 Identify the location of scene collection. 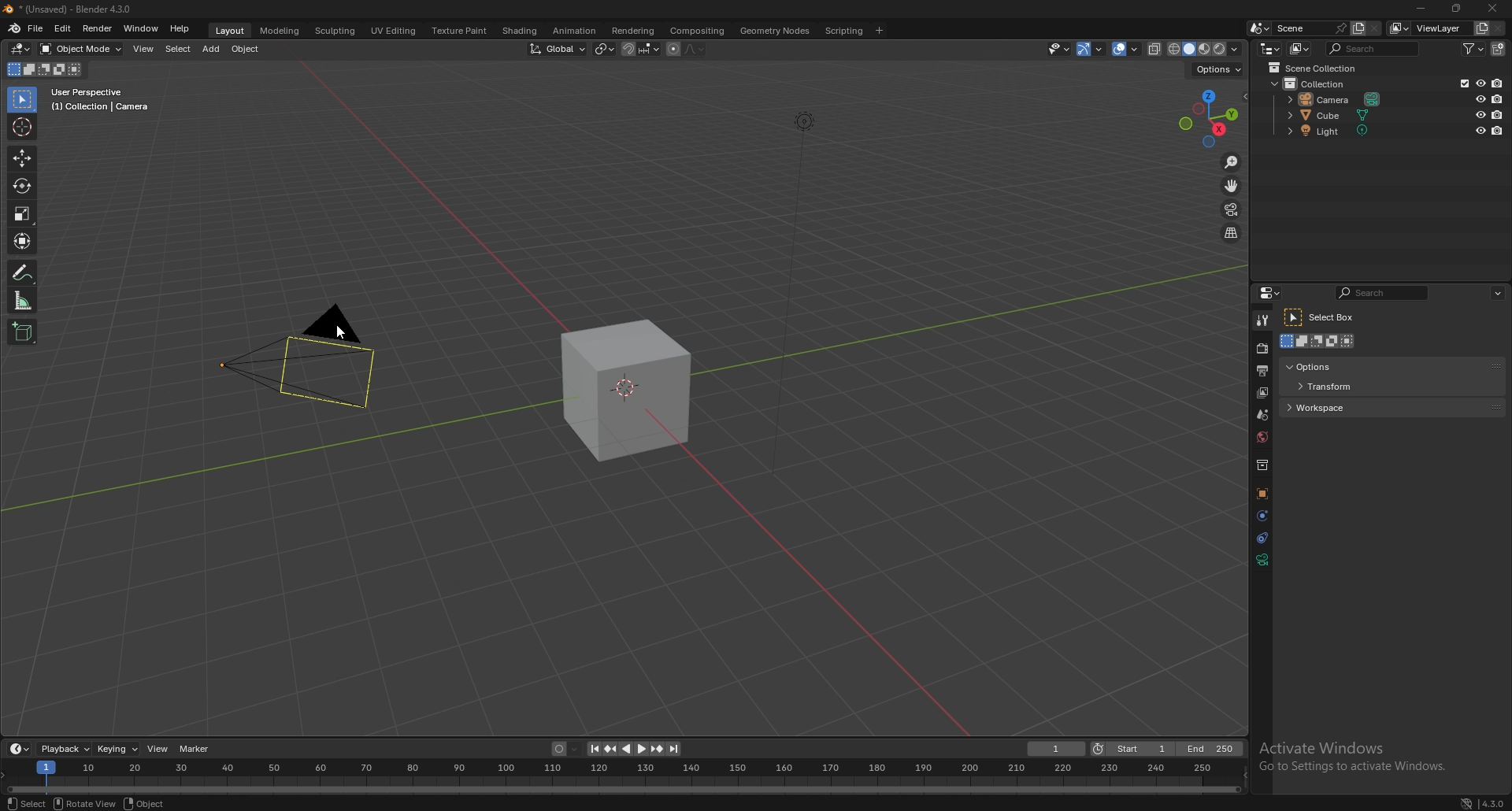
(1315, 67).